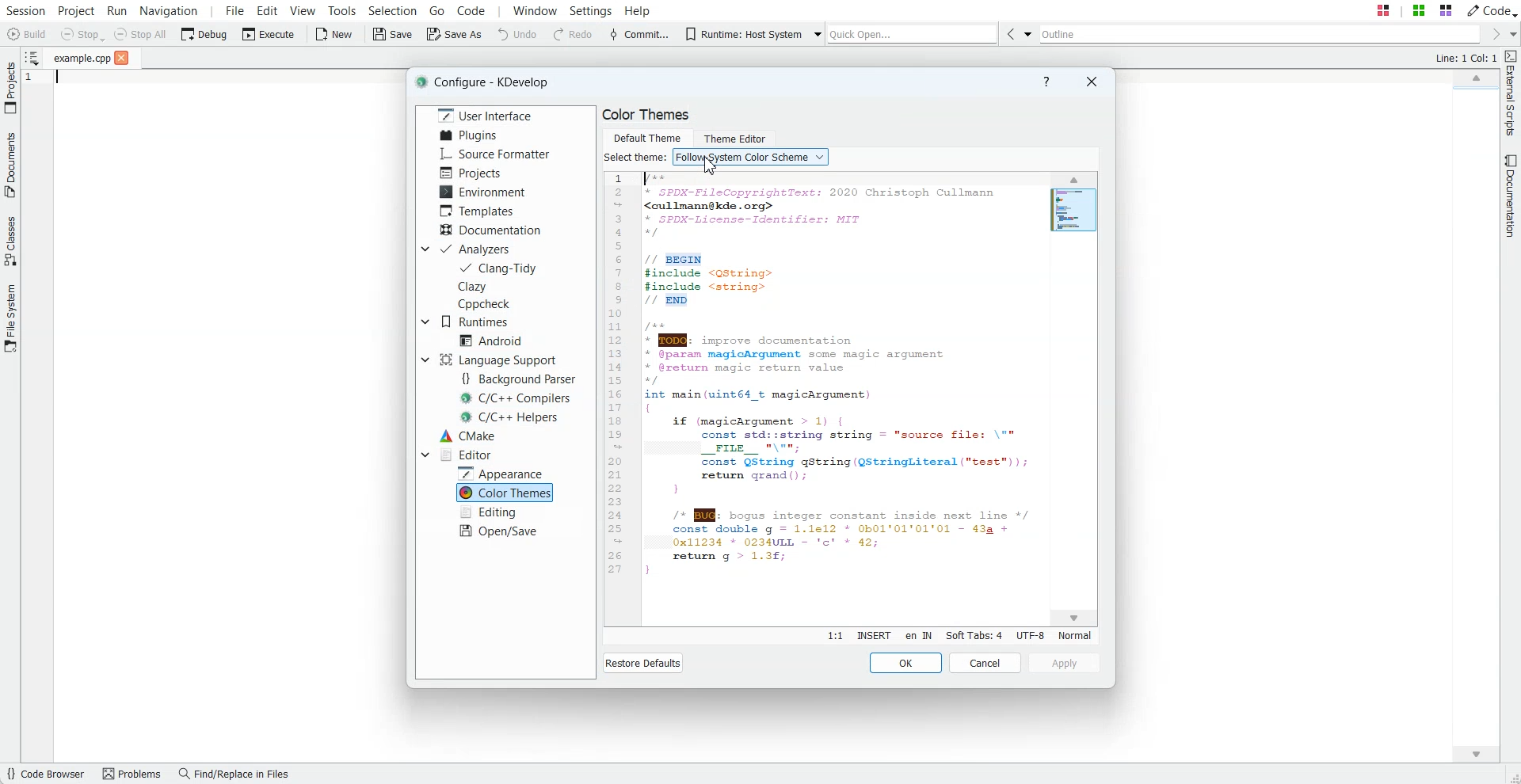 This screenshot has height=784, width=1521. What do you see at coordinates (985, 663) in the screenshot?
I see `Cancel` at bounding box center [985, 663].